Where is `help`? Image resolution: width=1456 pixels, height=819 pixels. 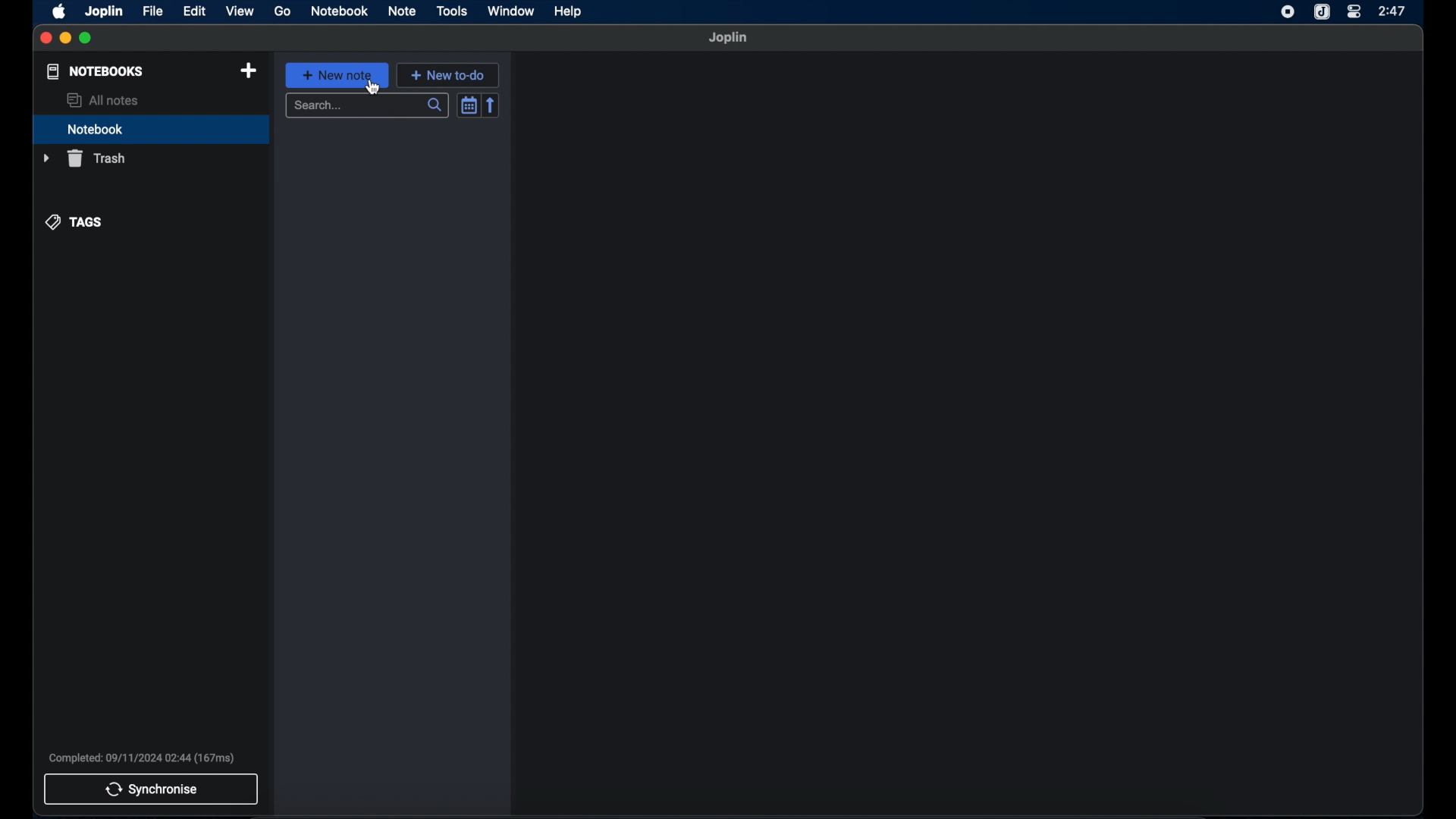
help is located at coordinates (568, 12).